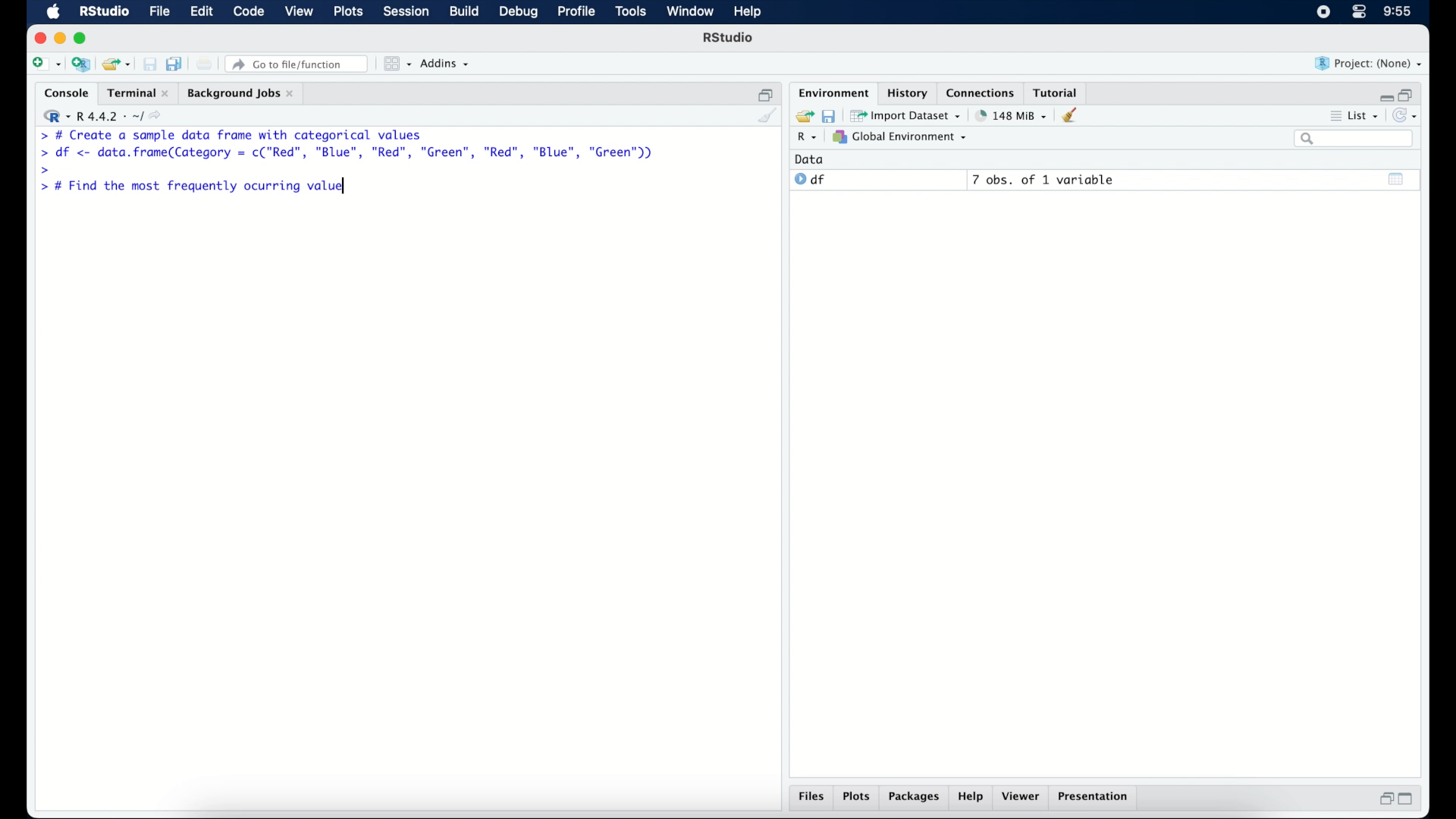 The width and height of the screenshot is (1456, 819). I want to click on maximize, so click(83, 39).